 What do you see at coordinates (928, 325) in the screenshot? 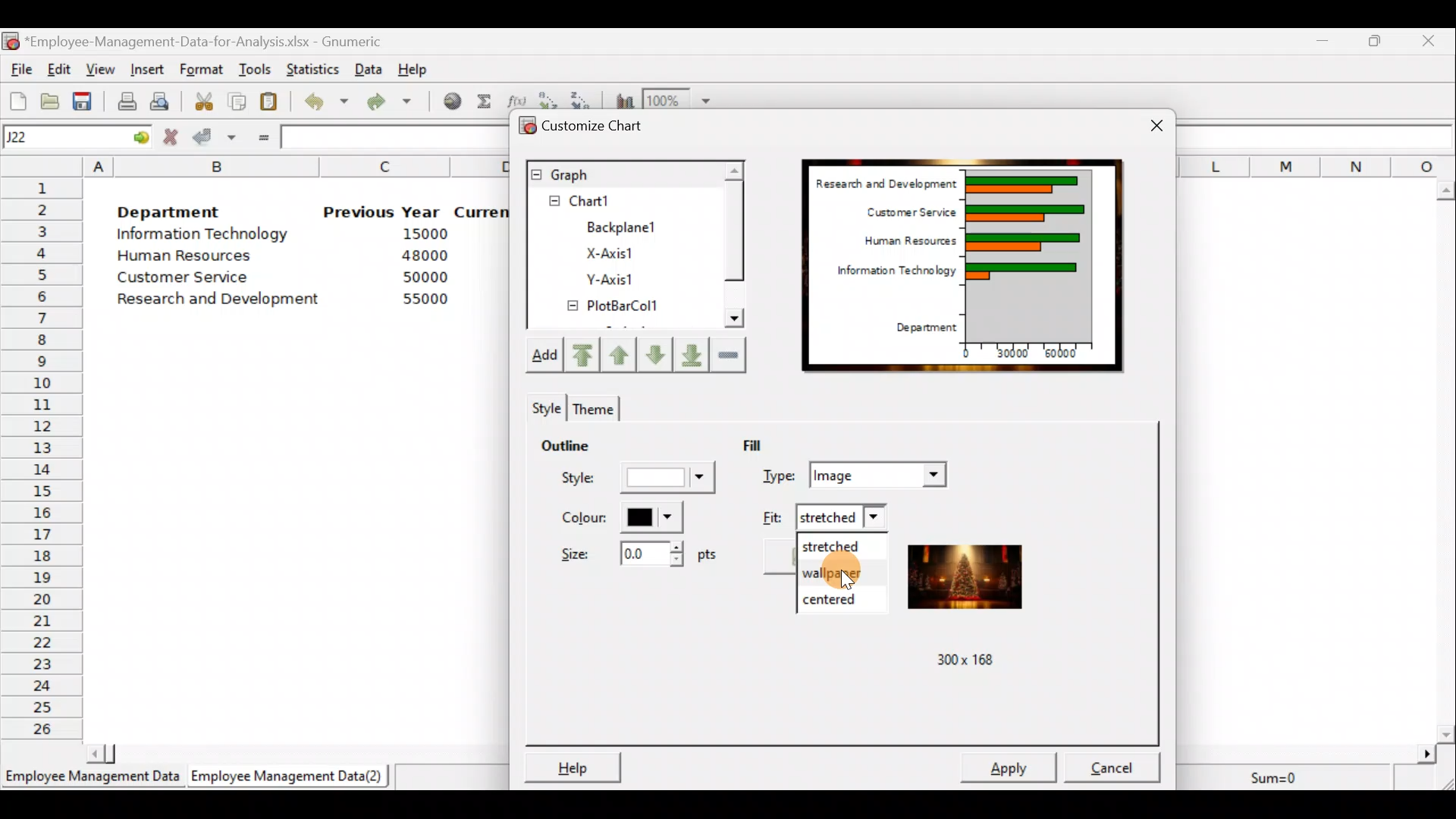
I see `Department` at bounding box center [928, 325].